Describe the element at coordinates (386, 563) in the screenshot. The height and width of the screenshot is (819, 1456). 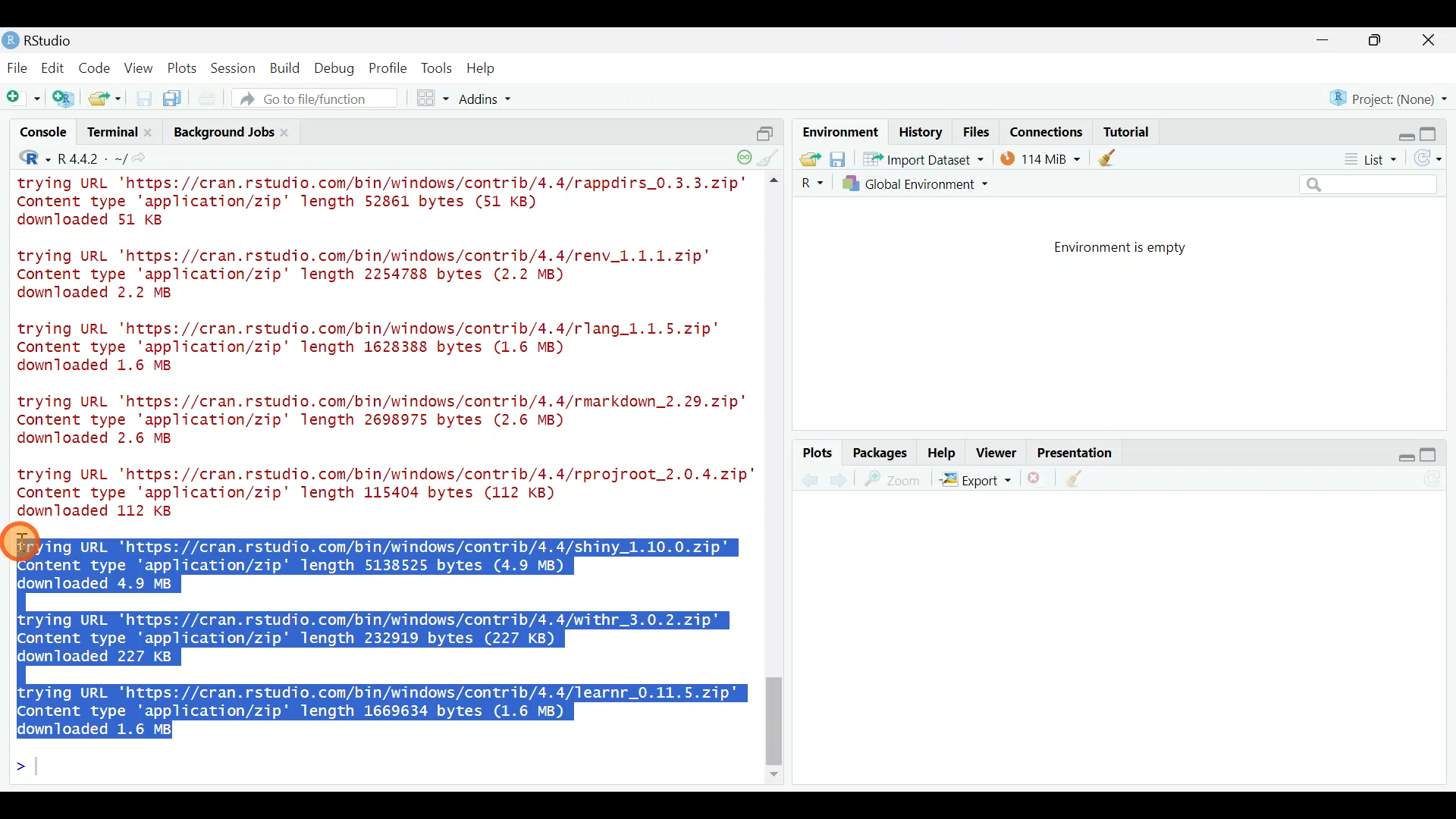
I see `trying URL 'https://cran.rstudio.com/bin/windows/contrib/4.4/shiny_1.10.0.zip"
Content type 'application/zip' length 5138525 bytes (4.9 MB)
downloaded 4.9 MB` at that location.